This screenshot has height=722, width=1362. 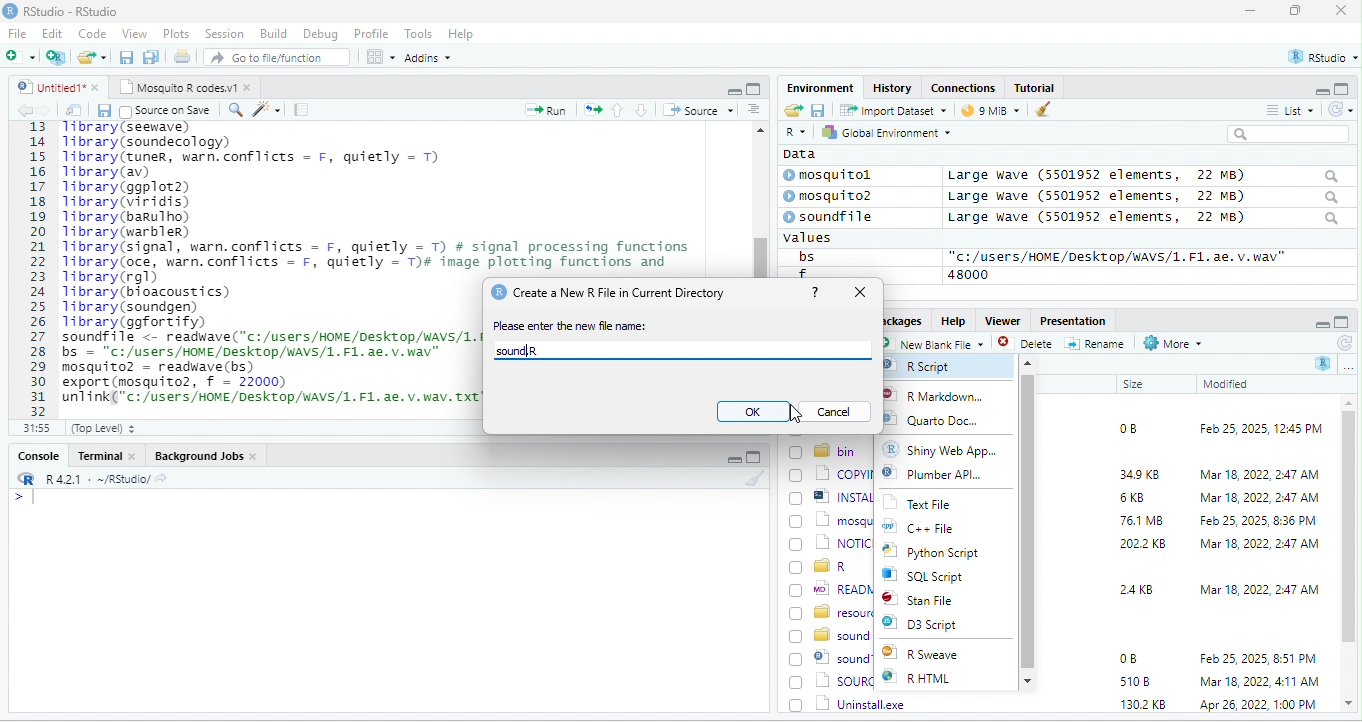 I want to click on Help, so click(x=462, y=35).